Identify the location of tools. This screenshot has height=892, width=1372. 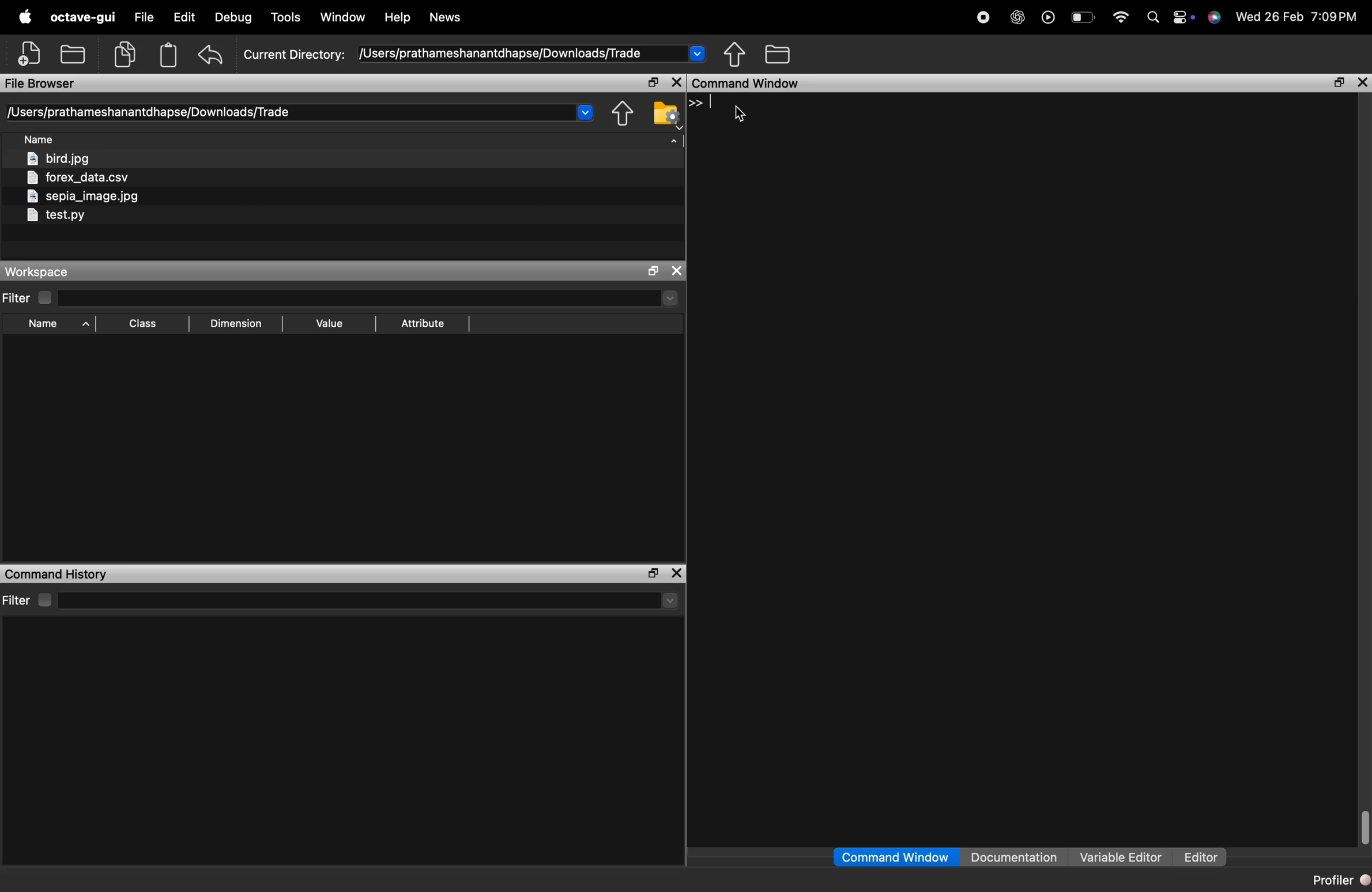
(287, 17).